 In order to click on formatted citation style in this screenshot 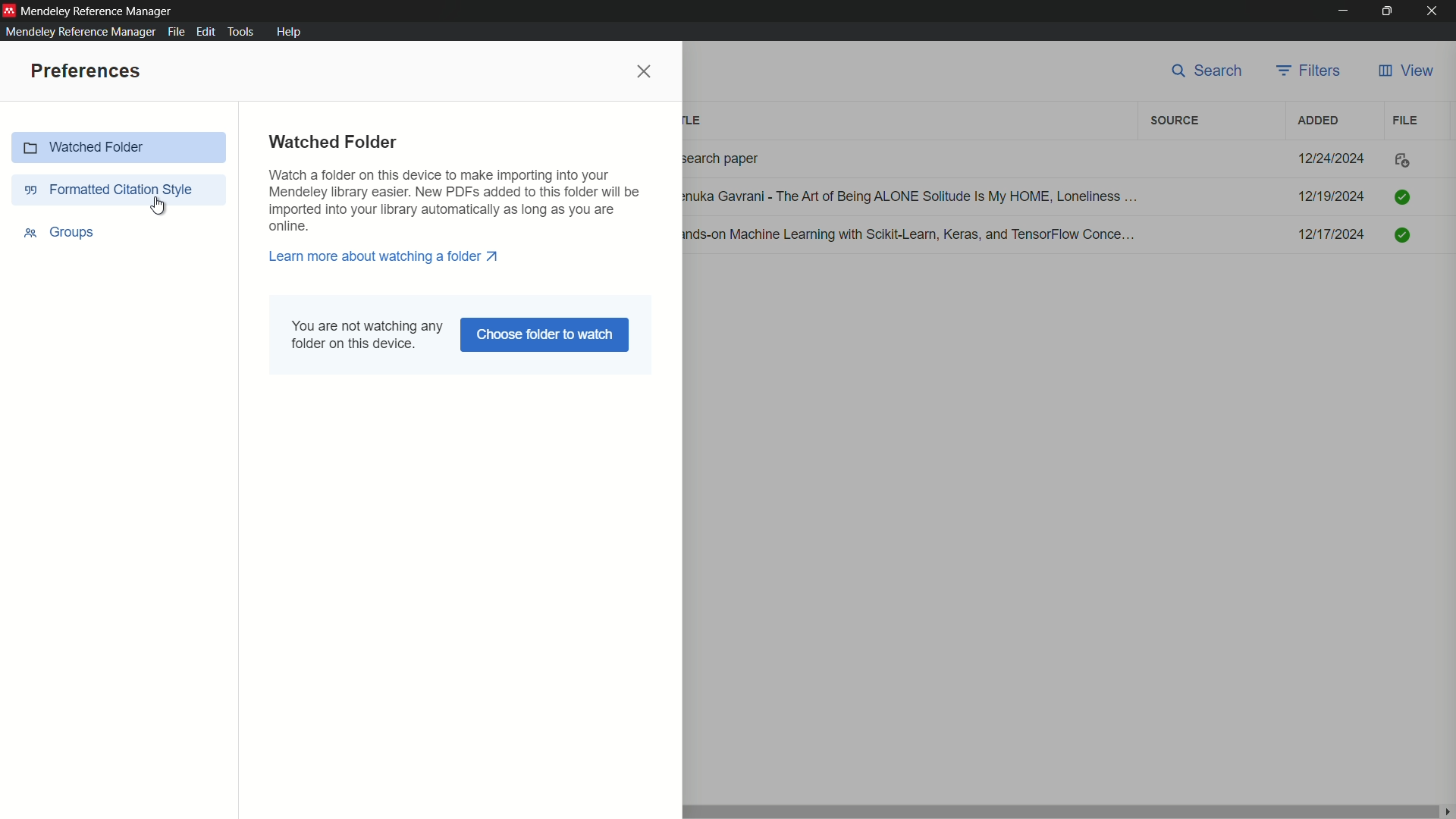, I will do `click(119, 189)`.